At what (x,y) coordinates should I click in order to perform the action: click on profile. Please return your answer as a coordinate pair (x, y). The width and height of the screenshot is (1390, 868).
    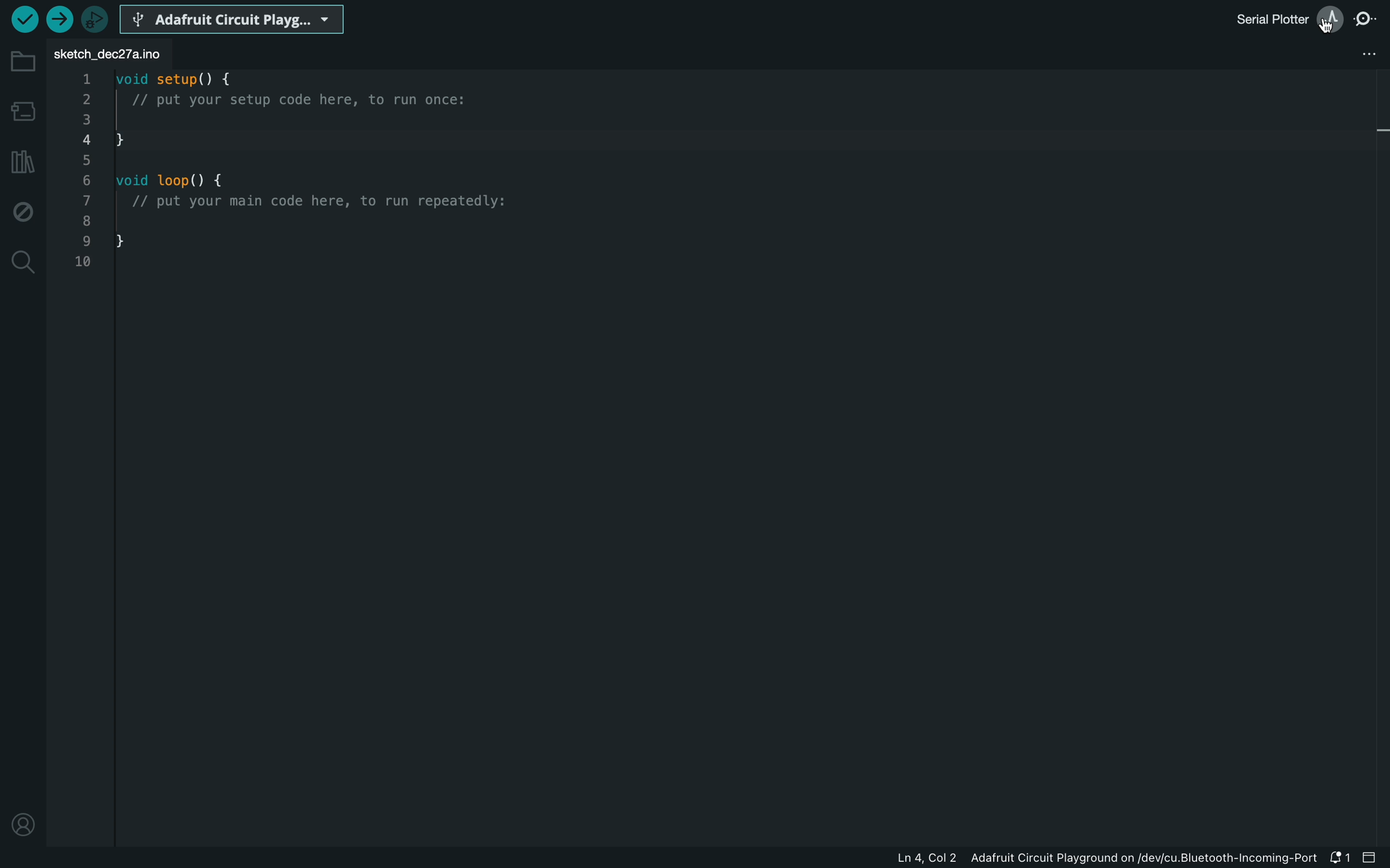
    Looking at the image, I should click on (24, 824).